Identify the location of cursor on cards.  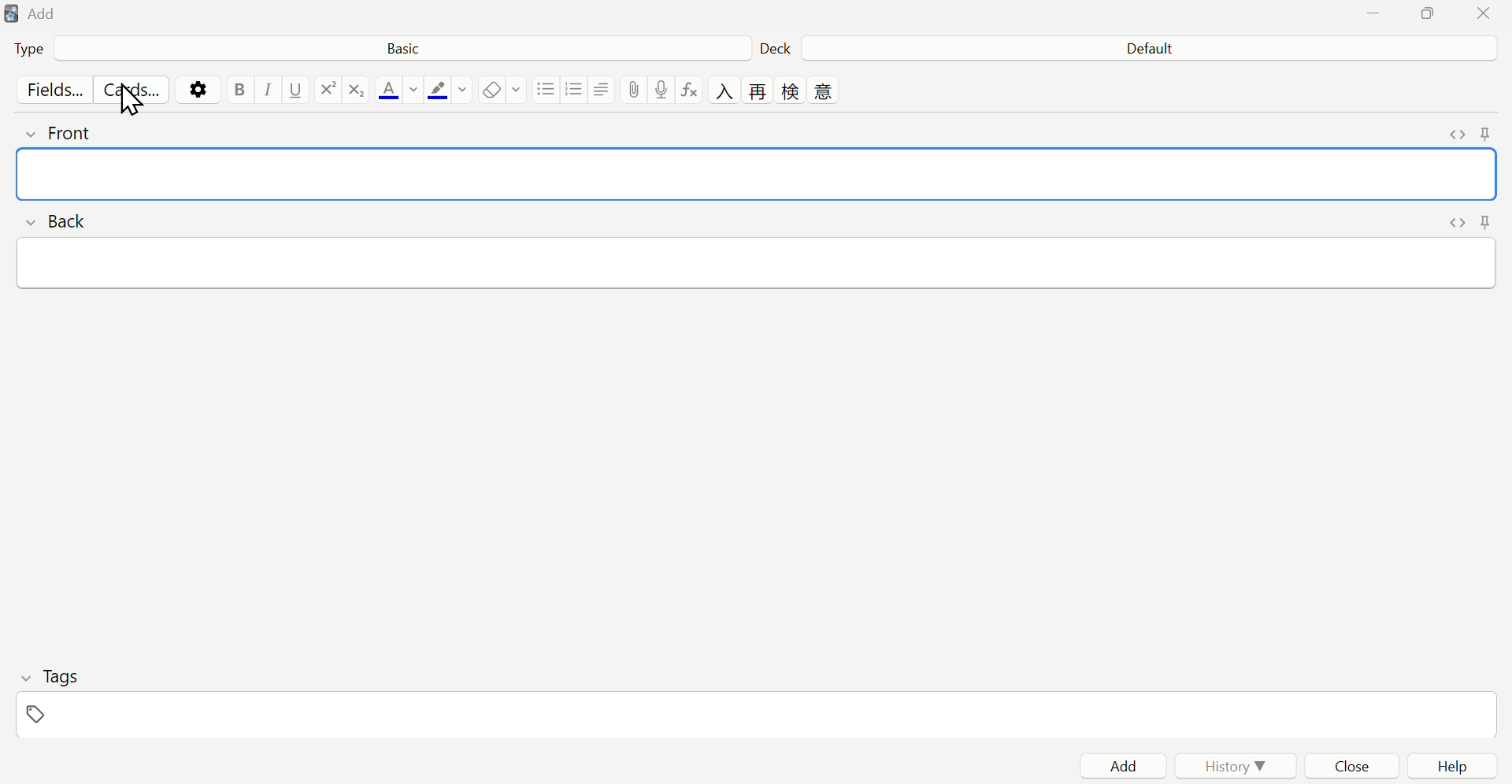
(129, 105).